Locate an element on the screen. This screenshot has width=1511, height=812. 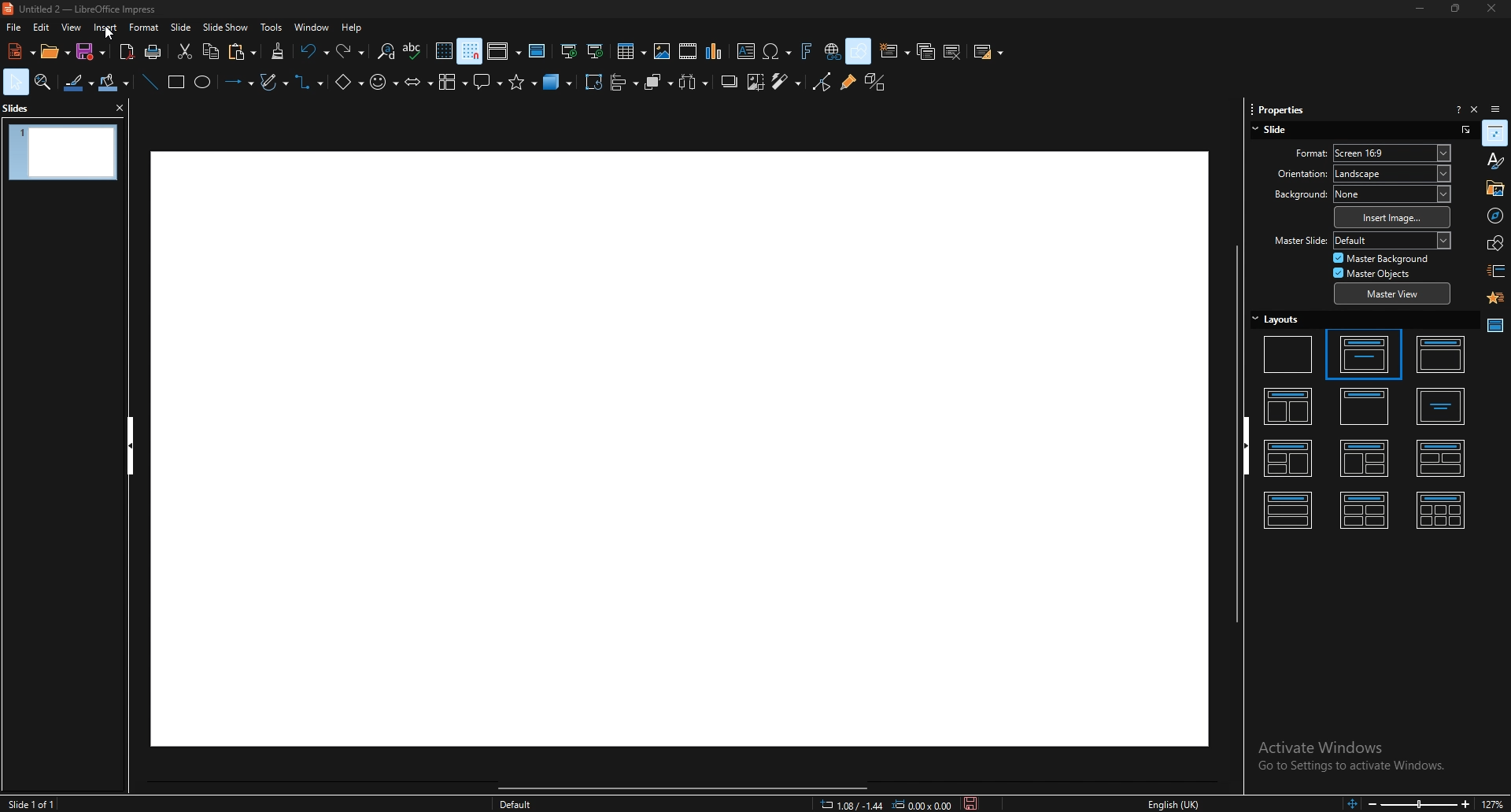
edit is located at coordinates (41, 27).